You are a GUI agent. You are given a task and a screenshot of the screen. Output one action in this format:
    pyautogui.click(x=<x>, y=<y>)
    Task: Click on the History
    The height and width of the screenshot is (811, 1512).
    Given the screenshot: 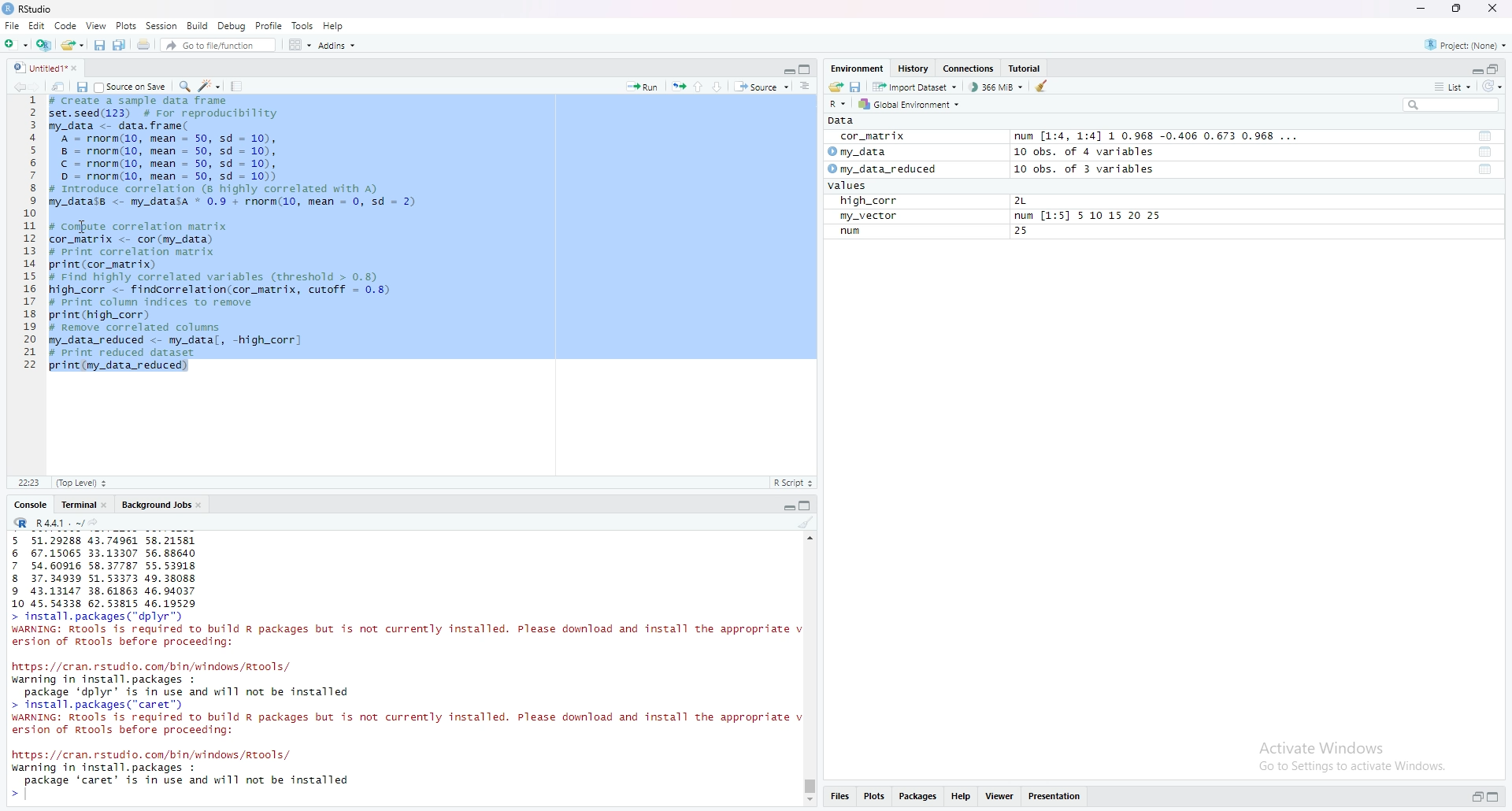 What is the action you would take?
    pyautogui.click(x=914, y=67)
    